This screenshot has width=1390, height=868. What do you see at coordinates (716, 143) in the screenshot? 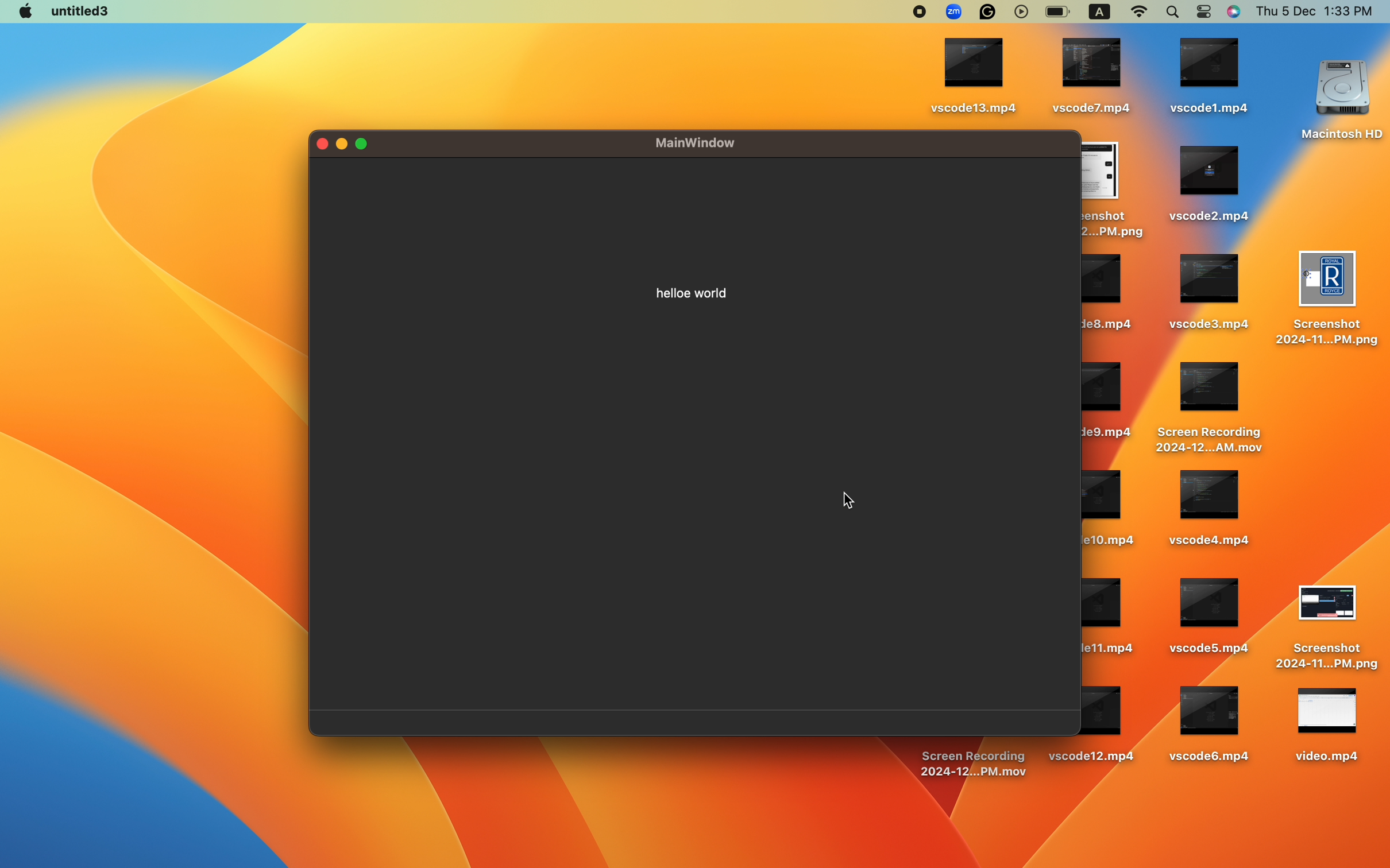
I see `main window` at bounding box center [716, 143].